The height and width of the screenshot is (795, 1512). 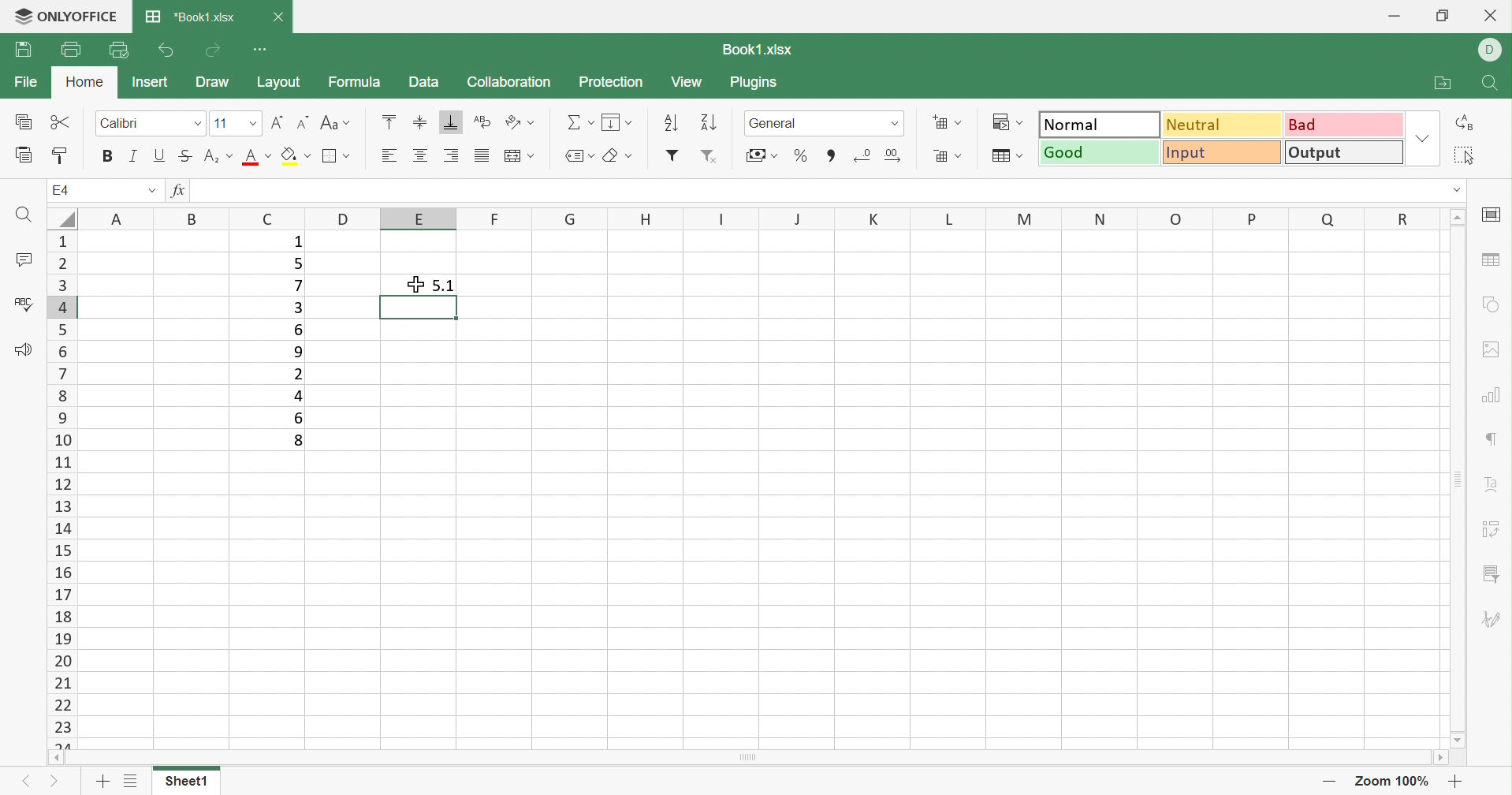 I want to click on Close, so click(x=282, y=17).